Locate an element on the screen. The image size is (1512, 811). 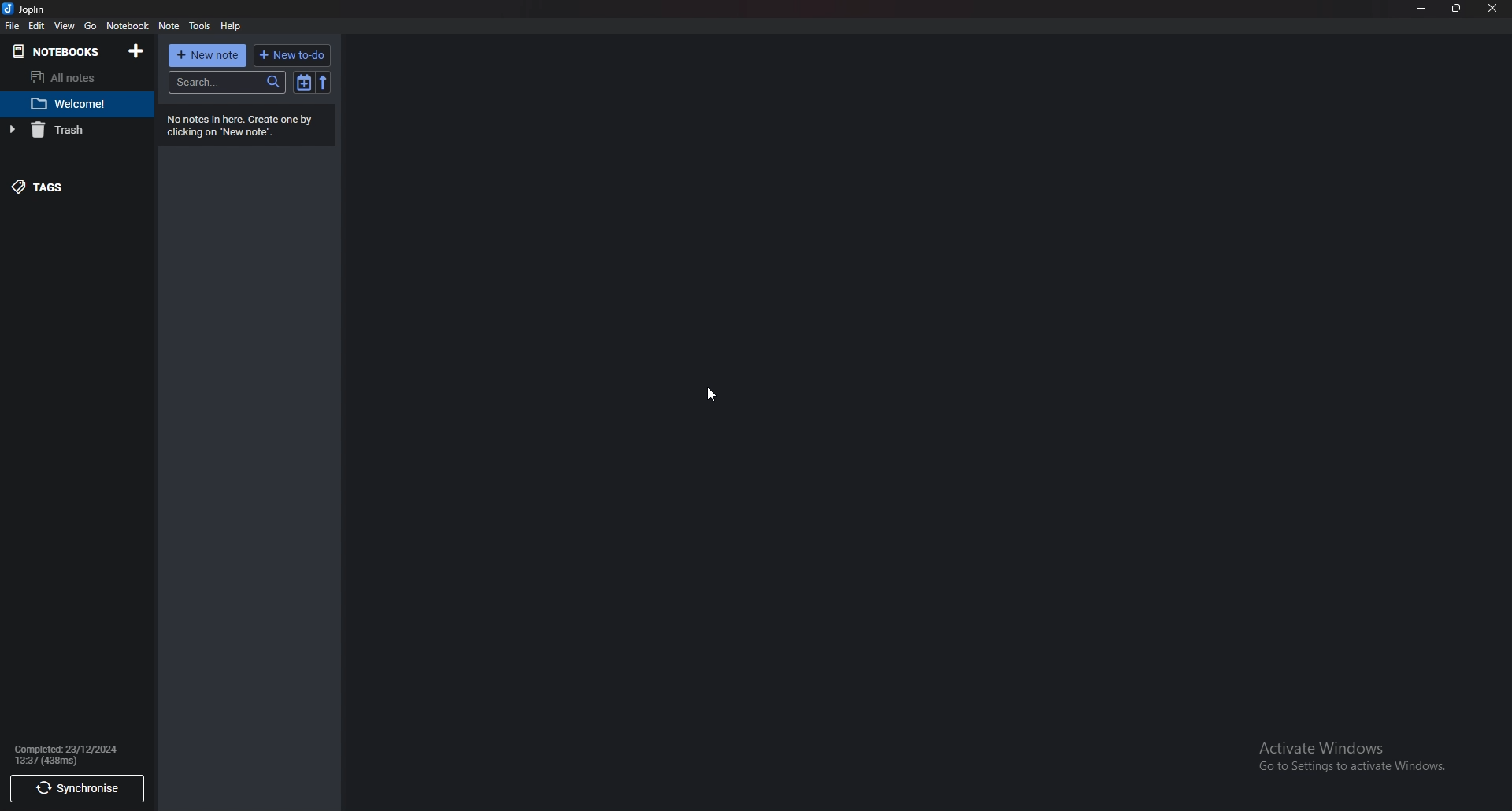
New to do is located at coordinates (293, 55).